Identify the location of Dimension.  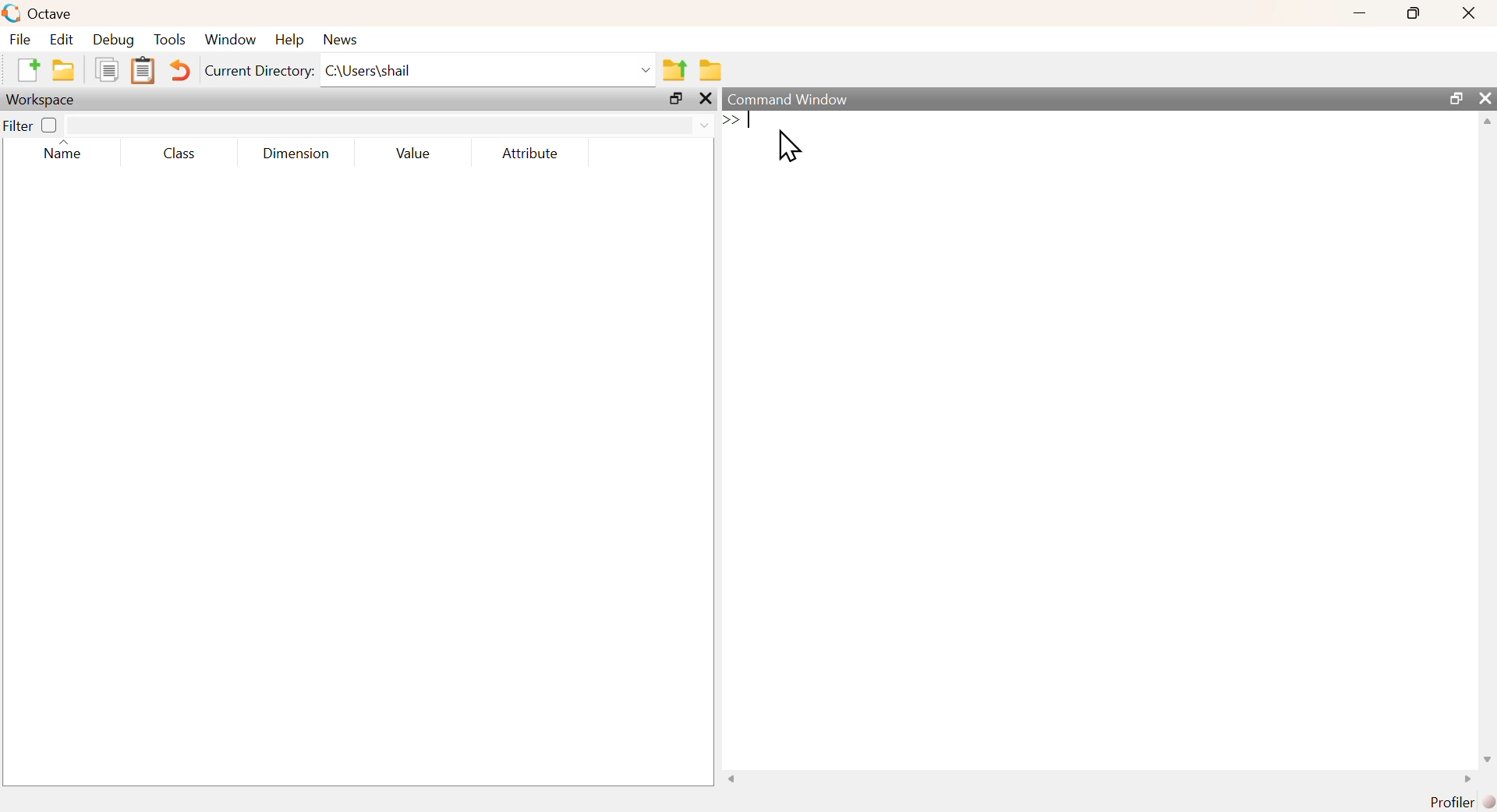
(299, 154).